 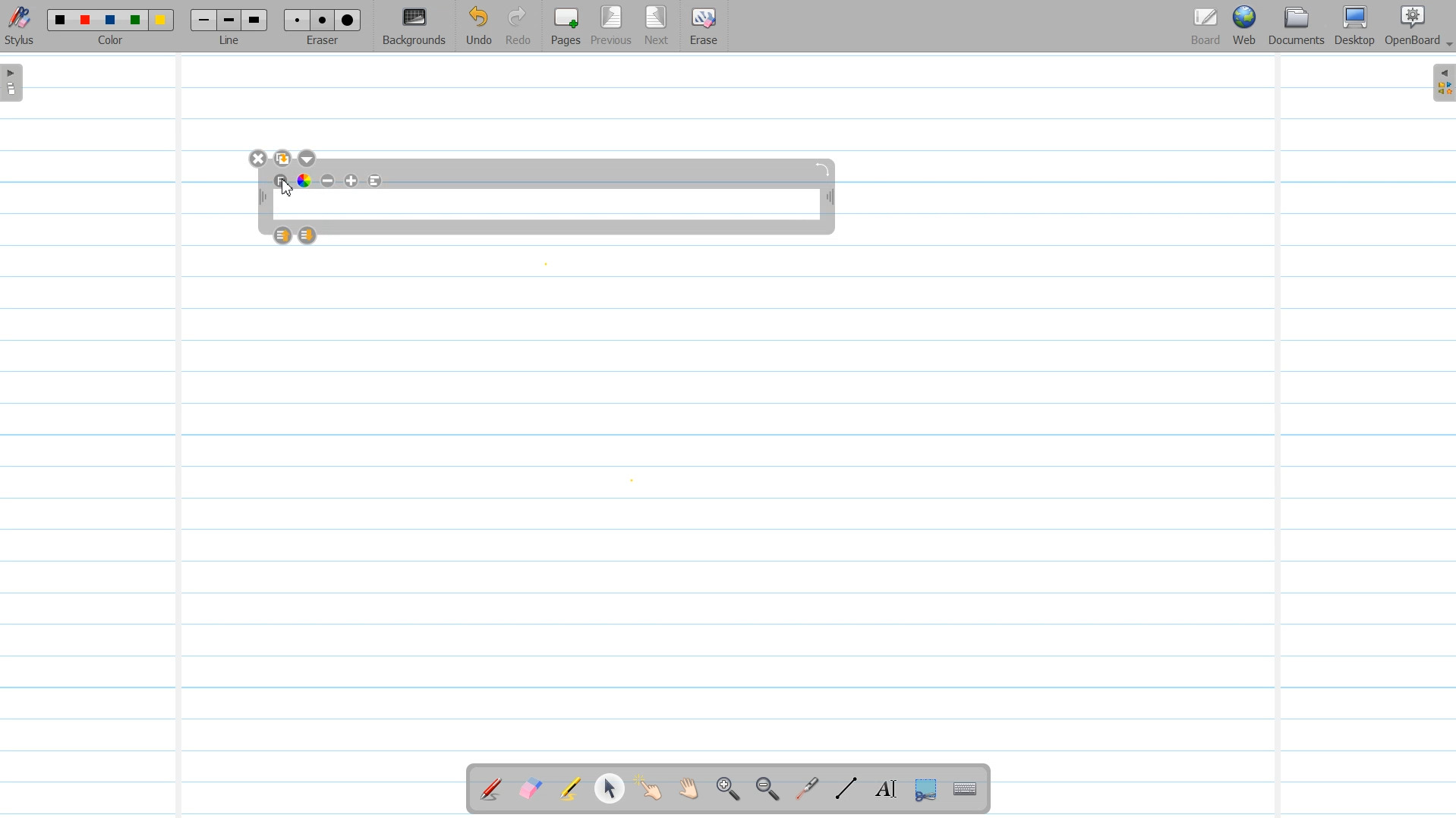 I want to click on Align to left text, so click(x=376, y=181).